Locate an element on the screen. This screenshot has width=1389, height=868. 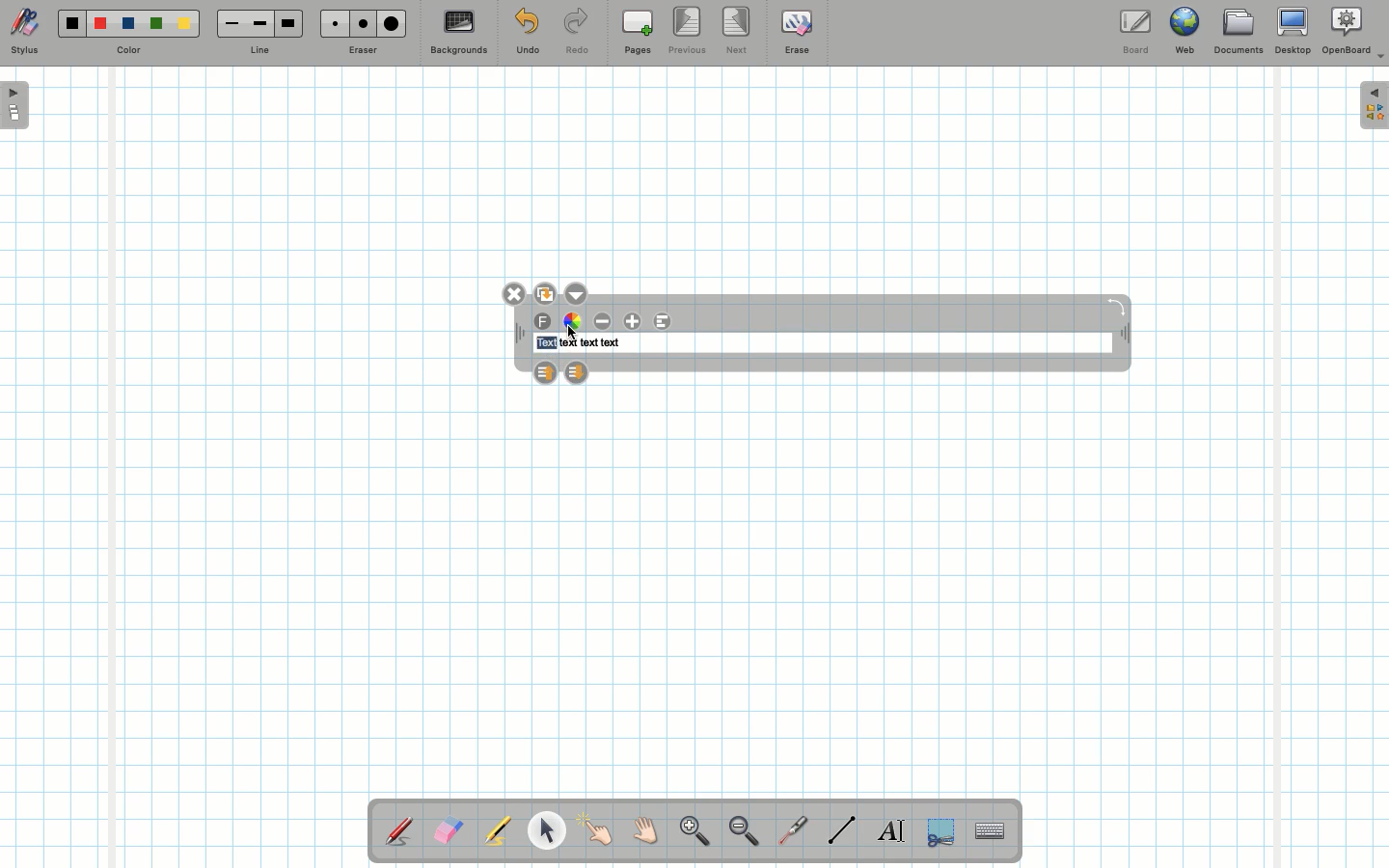
Zoom in is located at coordinates (690, 833).